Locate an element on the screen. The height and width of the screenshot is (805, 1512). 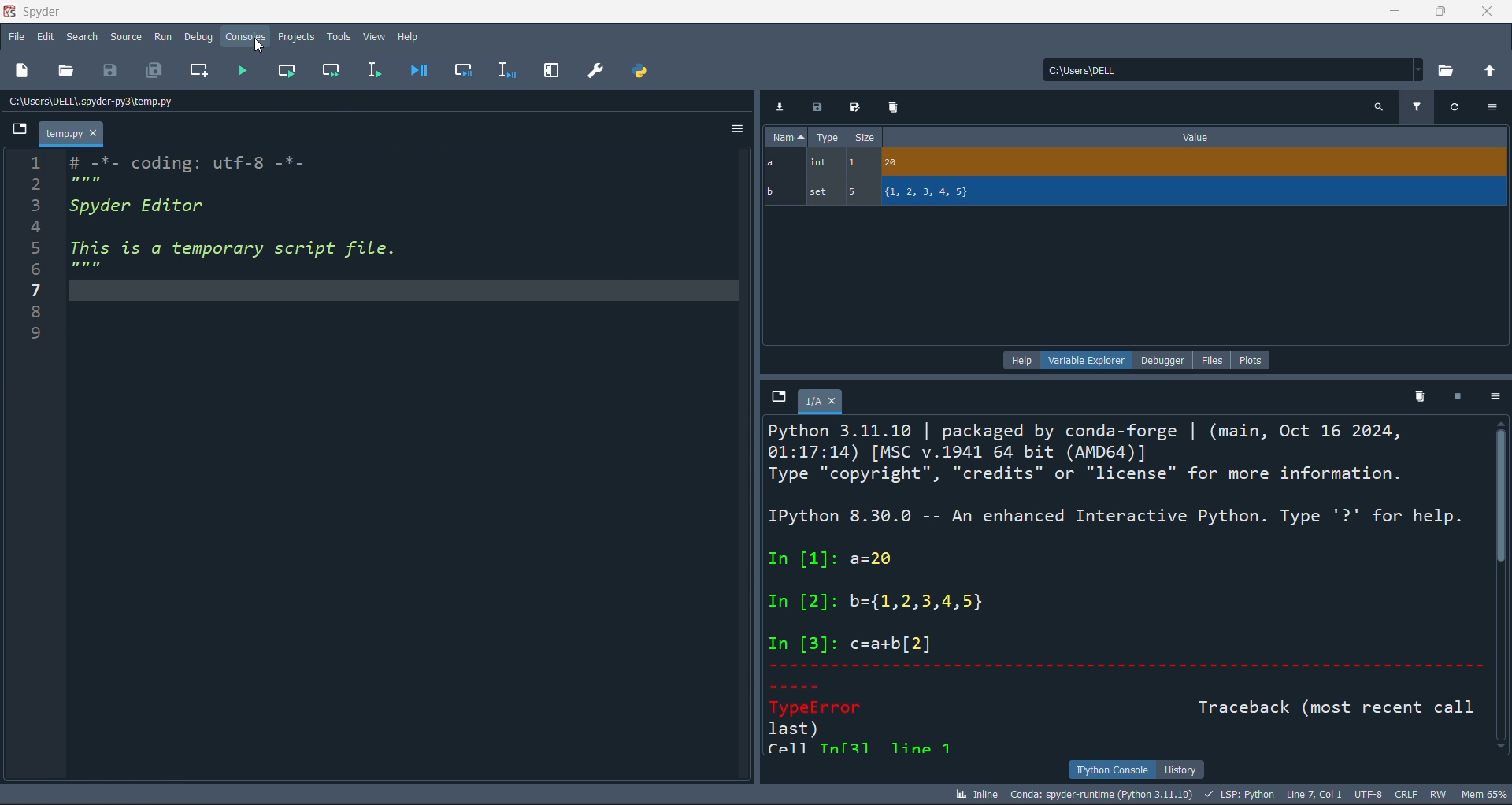
Help is located at coordinates (408, 36).